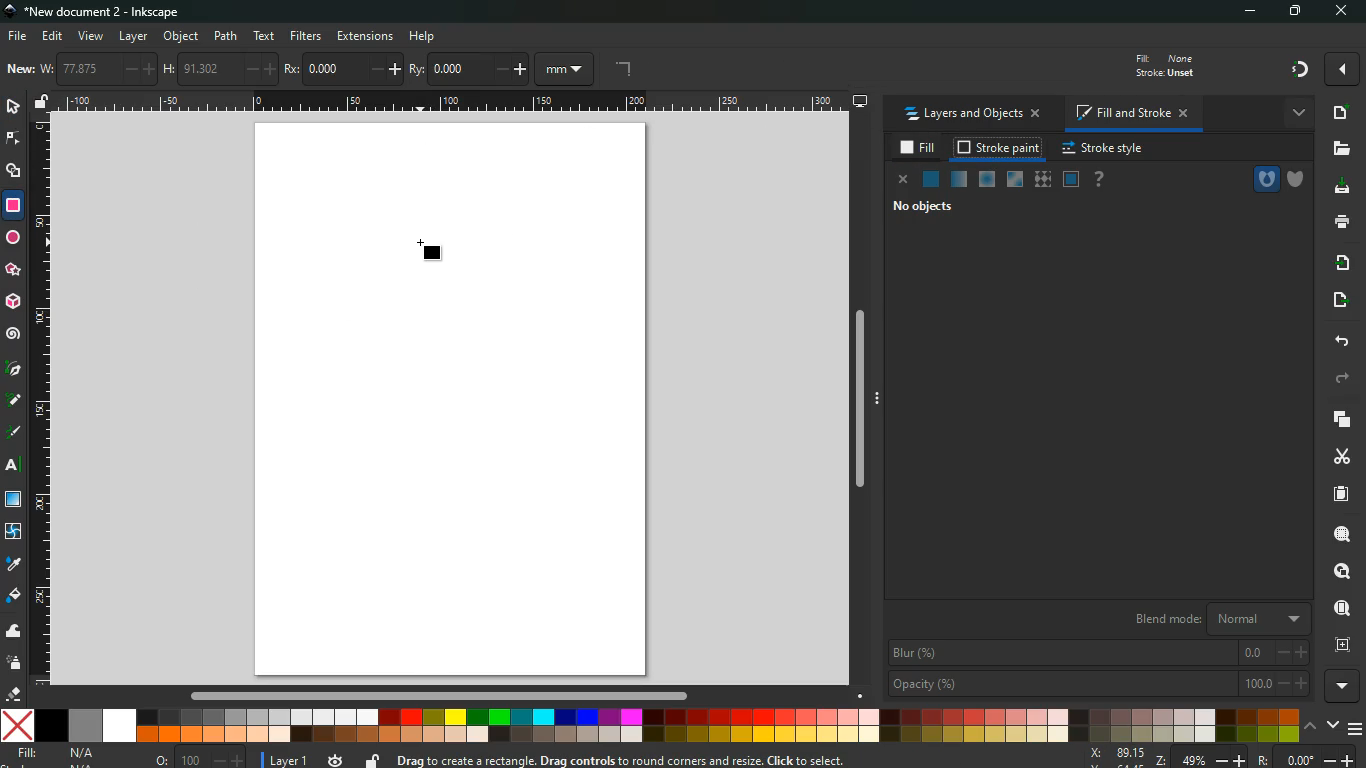 The image size is (1366, 768). I want to click on scroll bar, so click(434, 696).